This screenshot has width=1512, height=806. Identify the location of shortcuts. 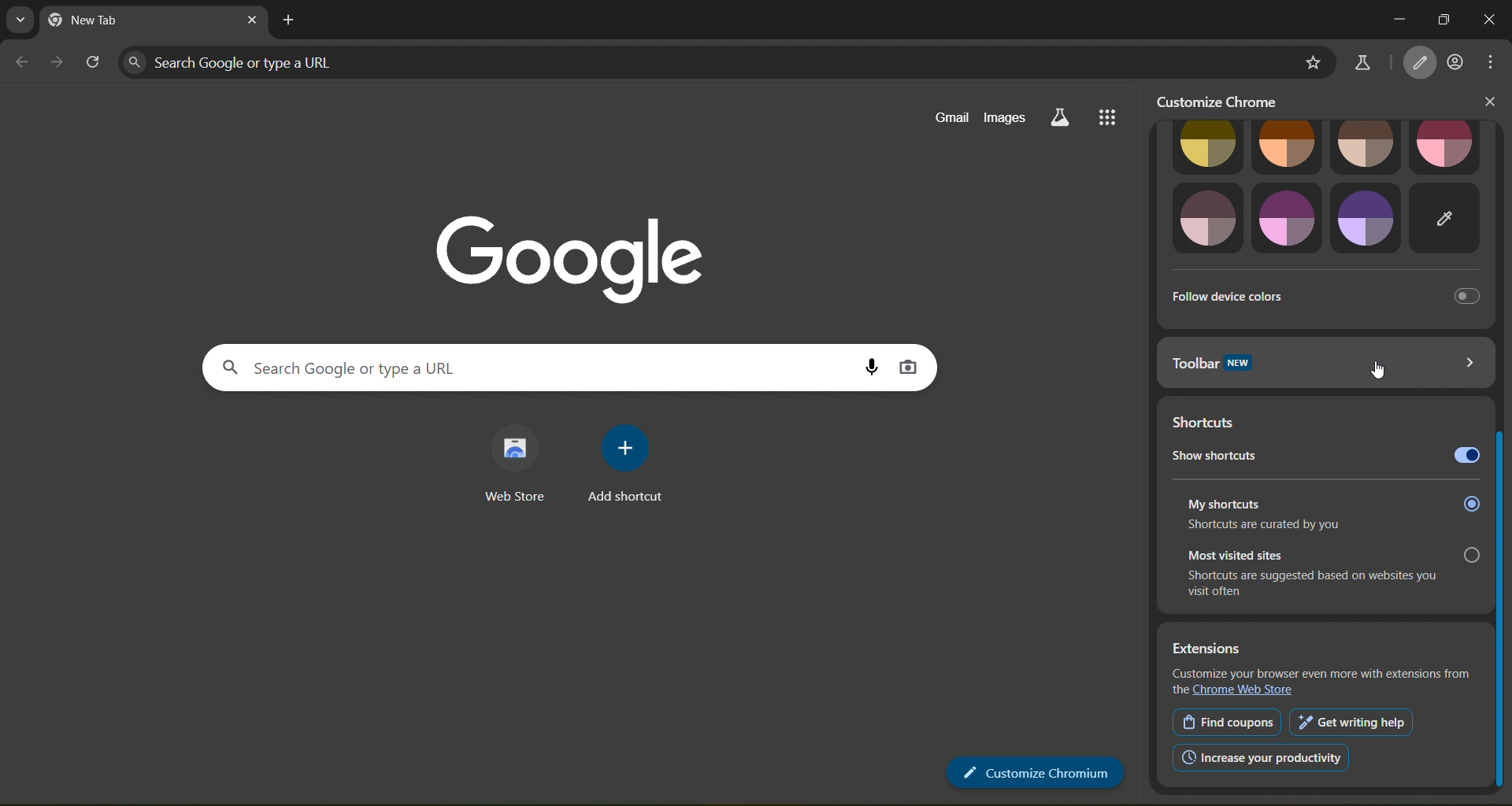
(1211, 417).